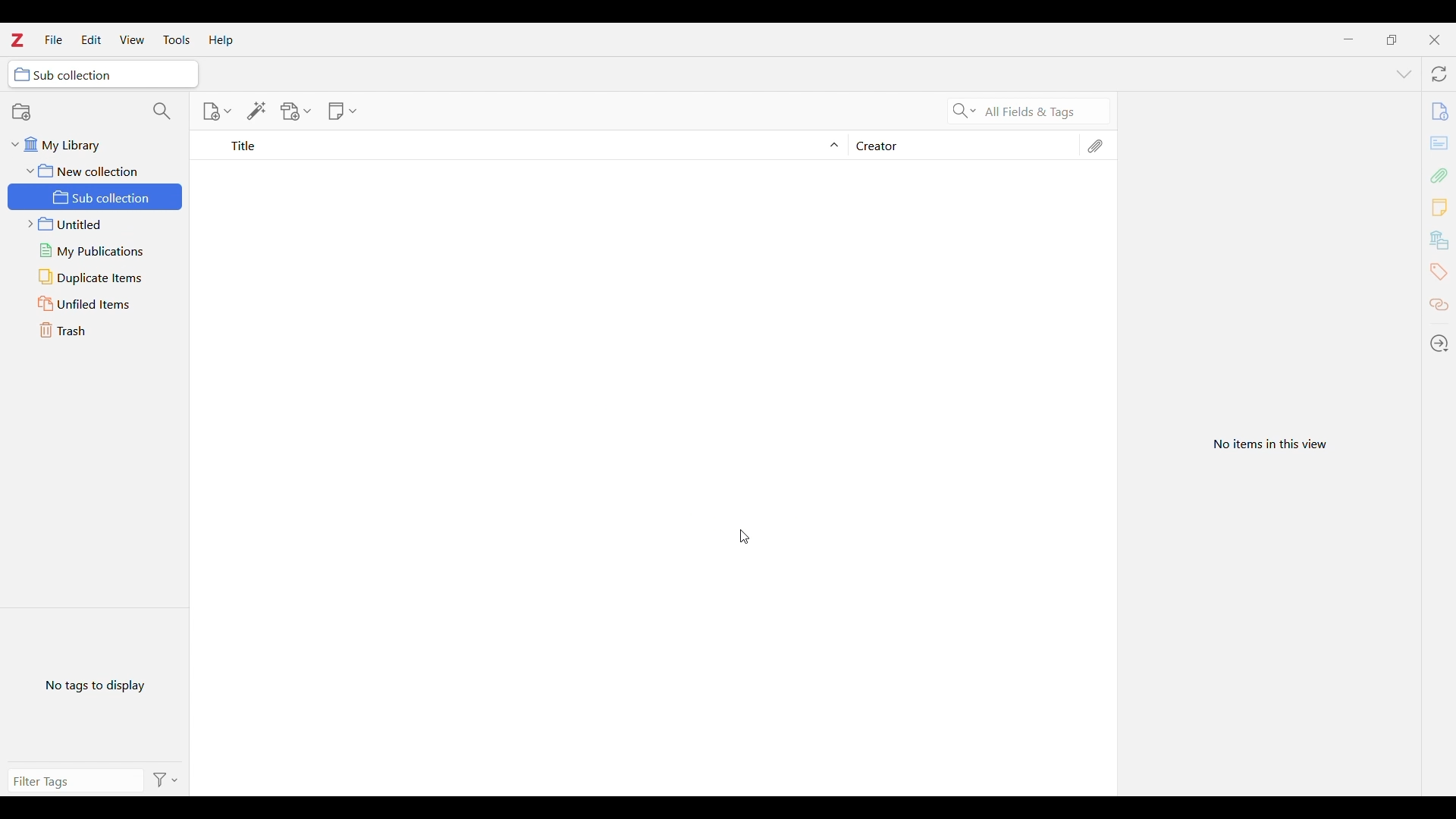  What do you see at coordinates (1044, 111) in the screenshot?
I see `Selected search criteria` at bounding box center [1044, 111].